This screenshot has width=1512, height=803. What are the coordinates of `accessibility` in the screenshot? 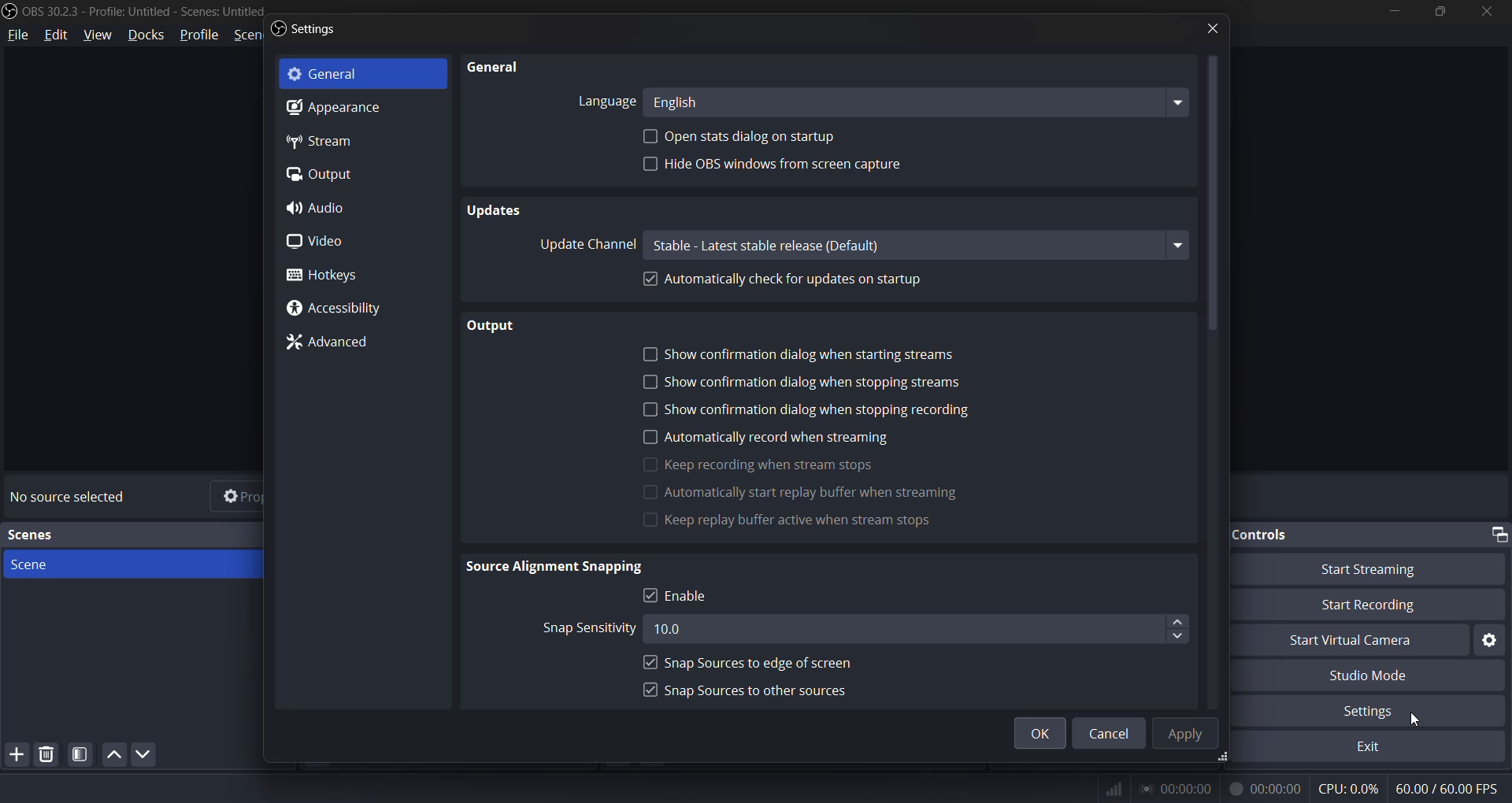 It's located at (330, 306).